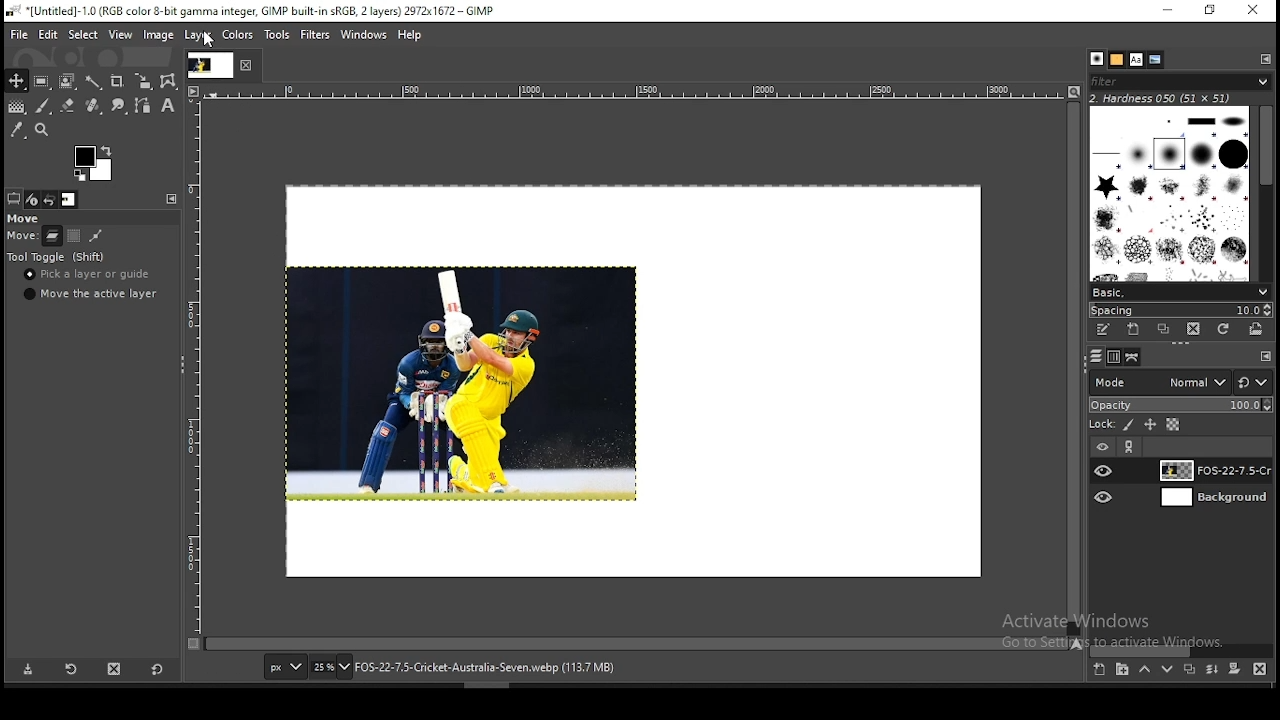 This screenshot has width=1280, height=720. Describe the element at coordinates (73, 236) in the screenshot. I see `move channels` at that location.